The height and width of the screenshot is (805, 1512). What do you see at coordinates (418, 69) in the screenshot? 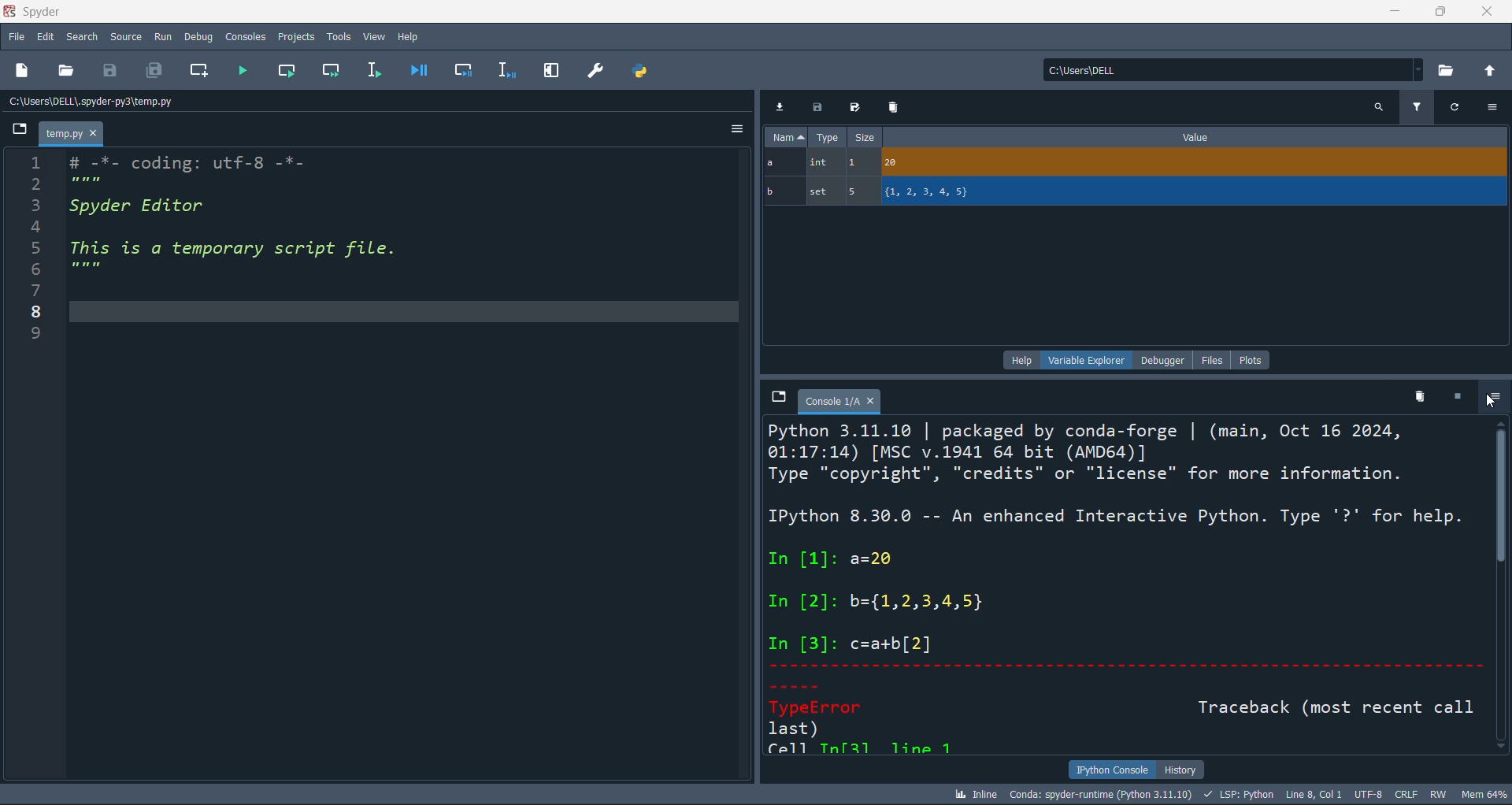
I see `debug file` at bounding box center [418, 69].